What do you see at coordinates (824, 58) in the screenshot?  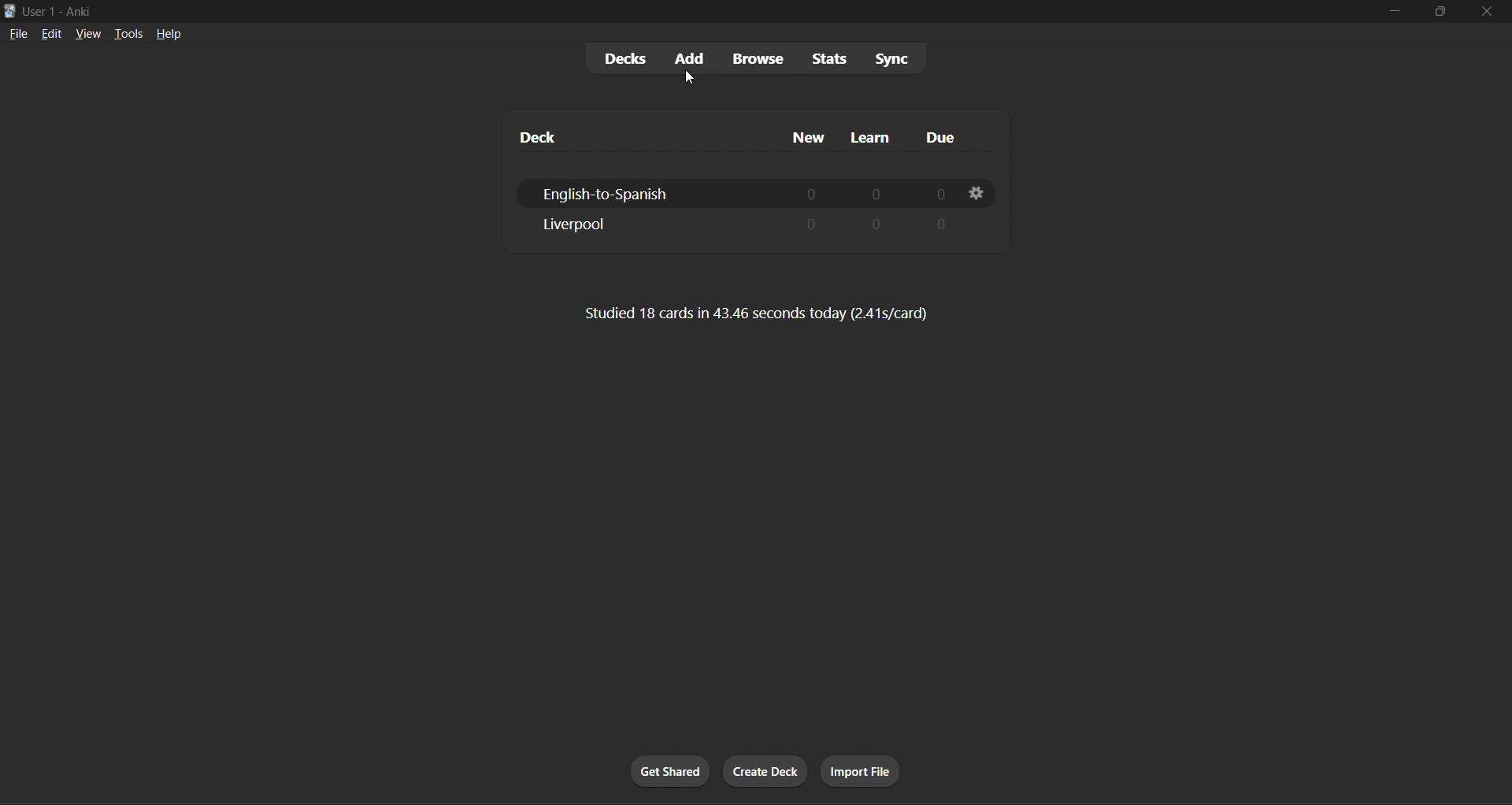 I see `stats` at bounding box center [824, 58].